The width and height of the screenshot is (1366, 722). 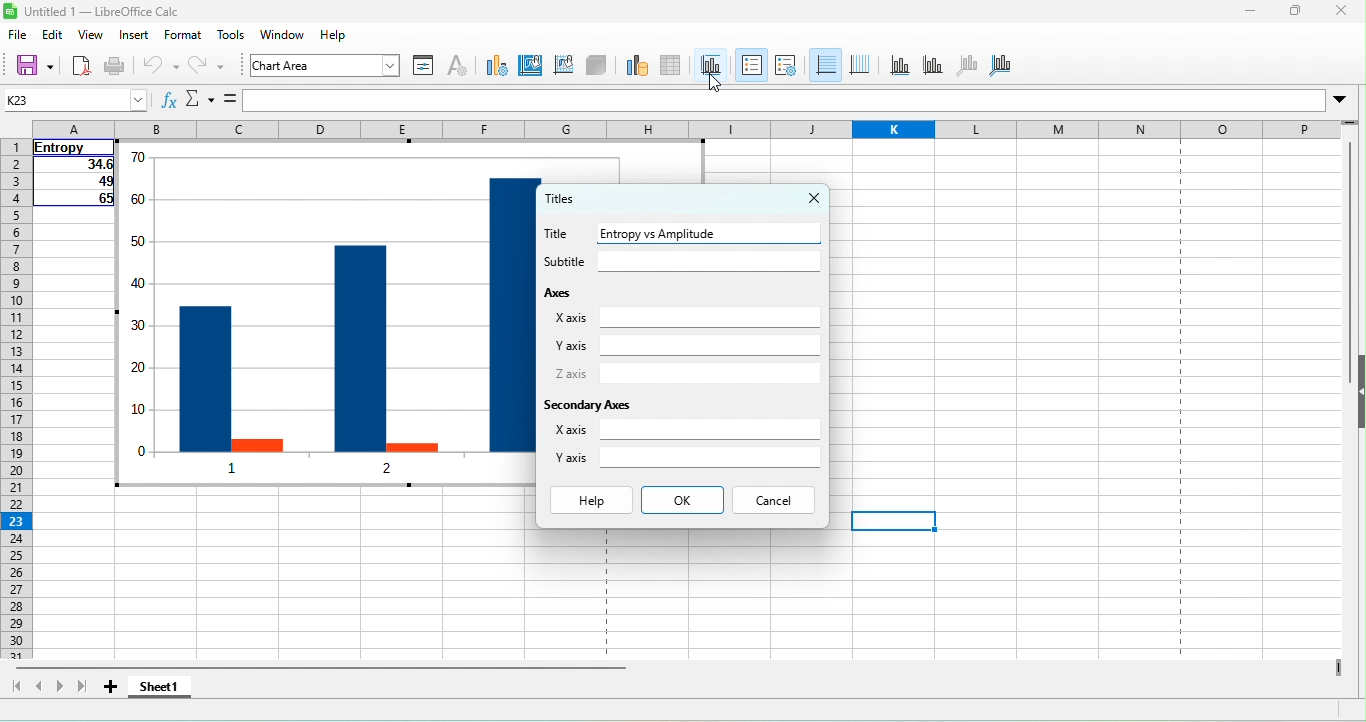 I want to click on file, so click(x=19, y=38).